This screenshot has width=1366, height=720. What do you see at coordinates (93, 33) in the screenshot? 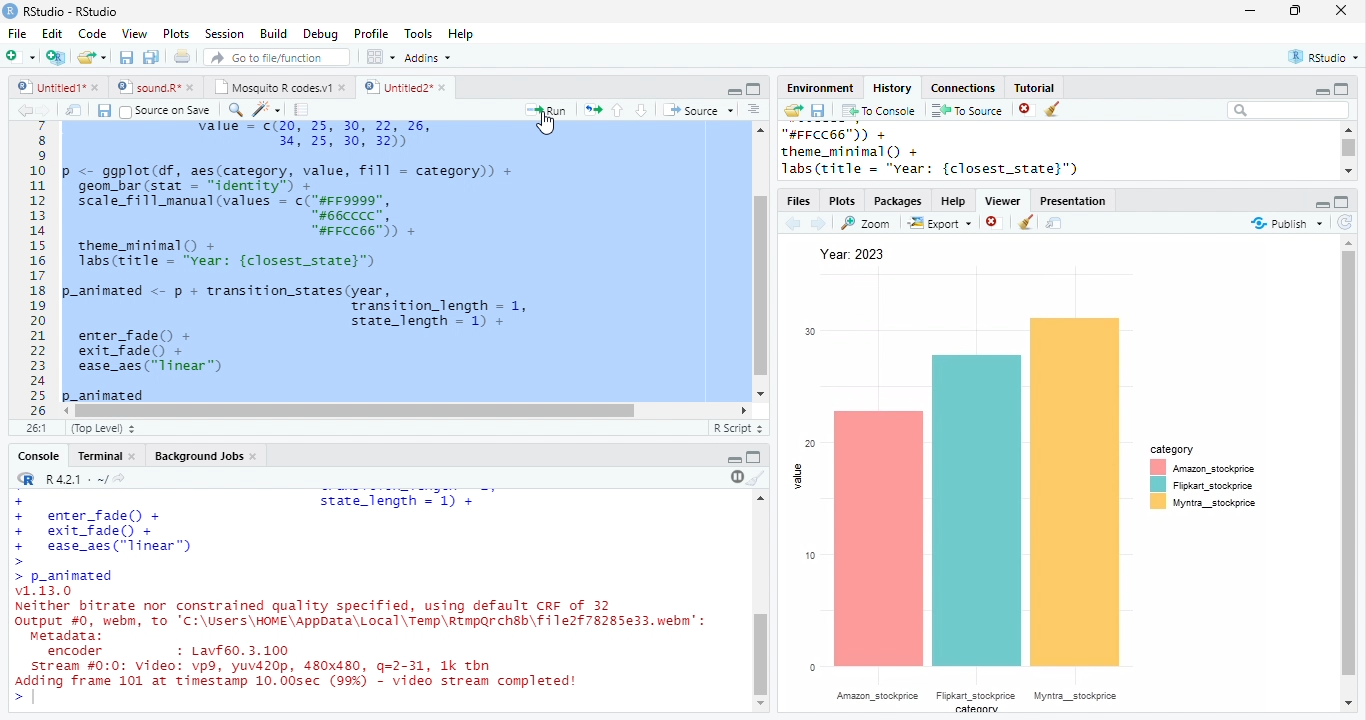
I see `Code` at bounding box center [93, 33].